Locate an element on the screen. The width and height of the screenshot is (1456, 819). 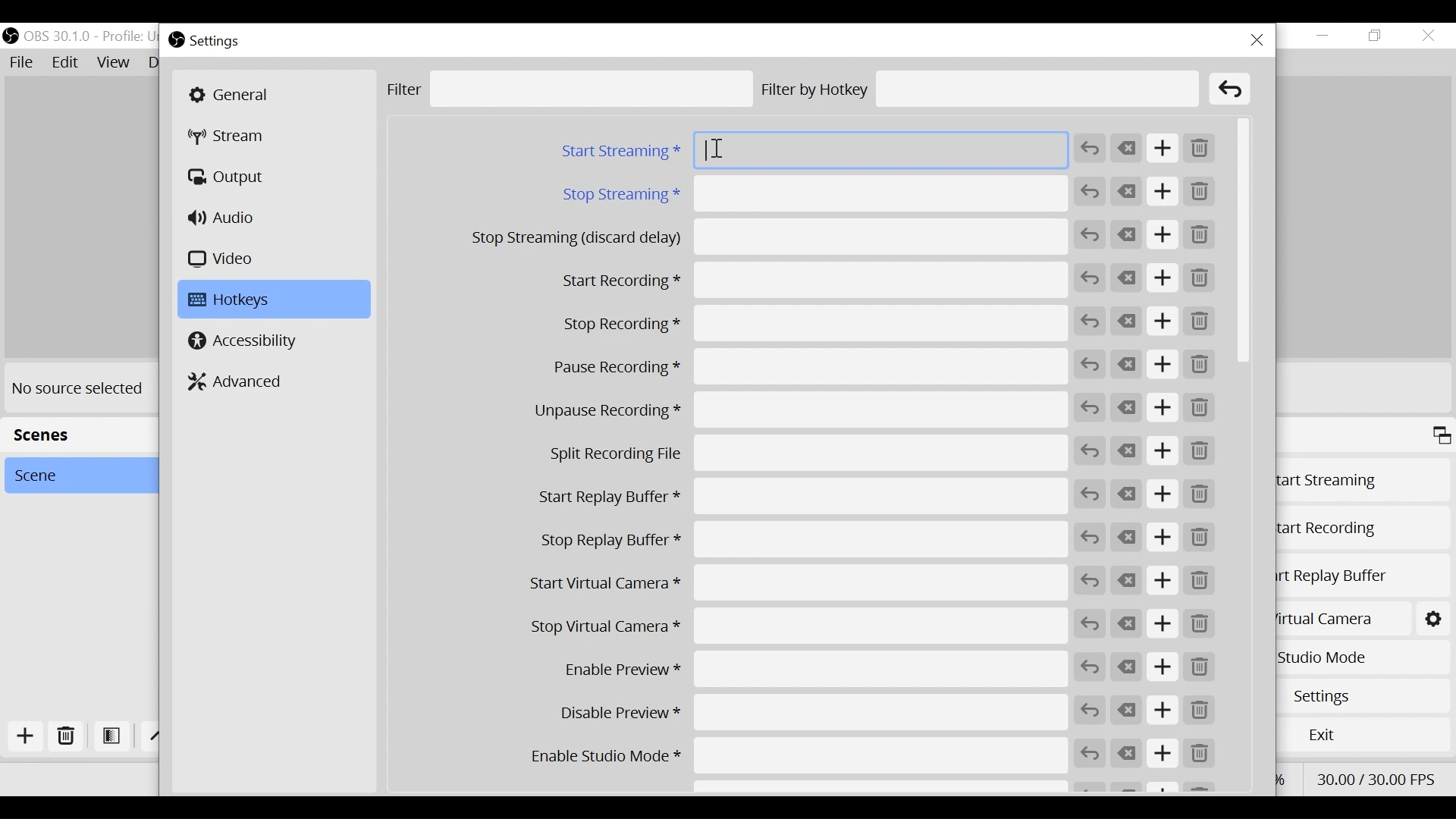
Stop Replay Buffer is located at coordinates (799, 540).